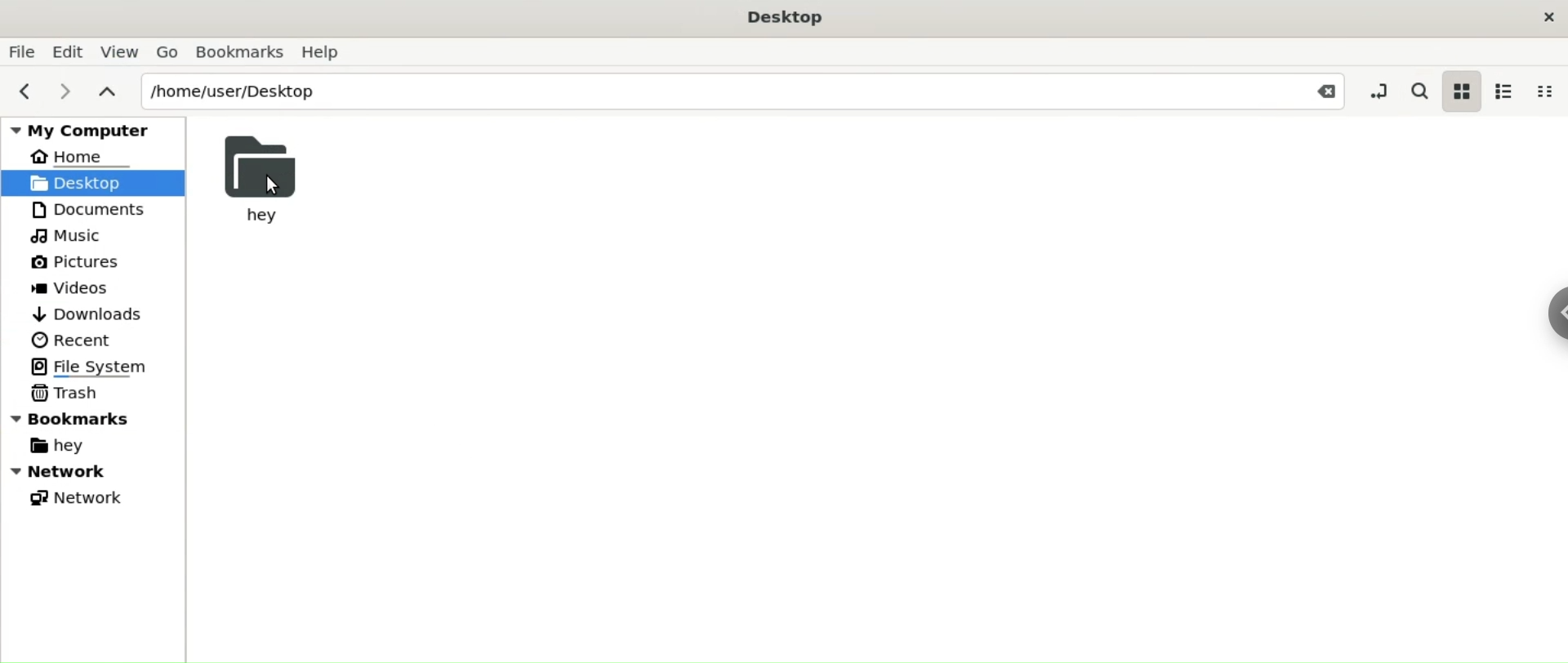 The image size is (1568, 663). Describe the element at coordinates (1548, 18) in the screenshot. I see `close` at that location.